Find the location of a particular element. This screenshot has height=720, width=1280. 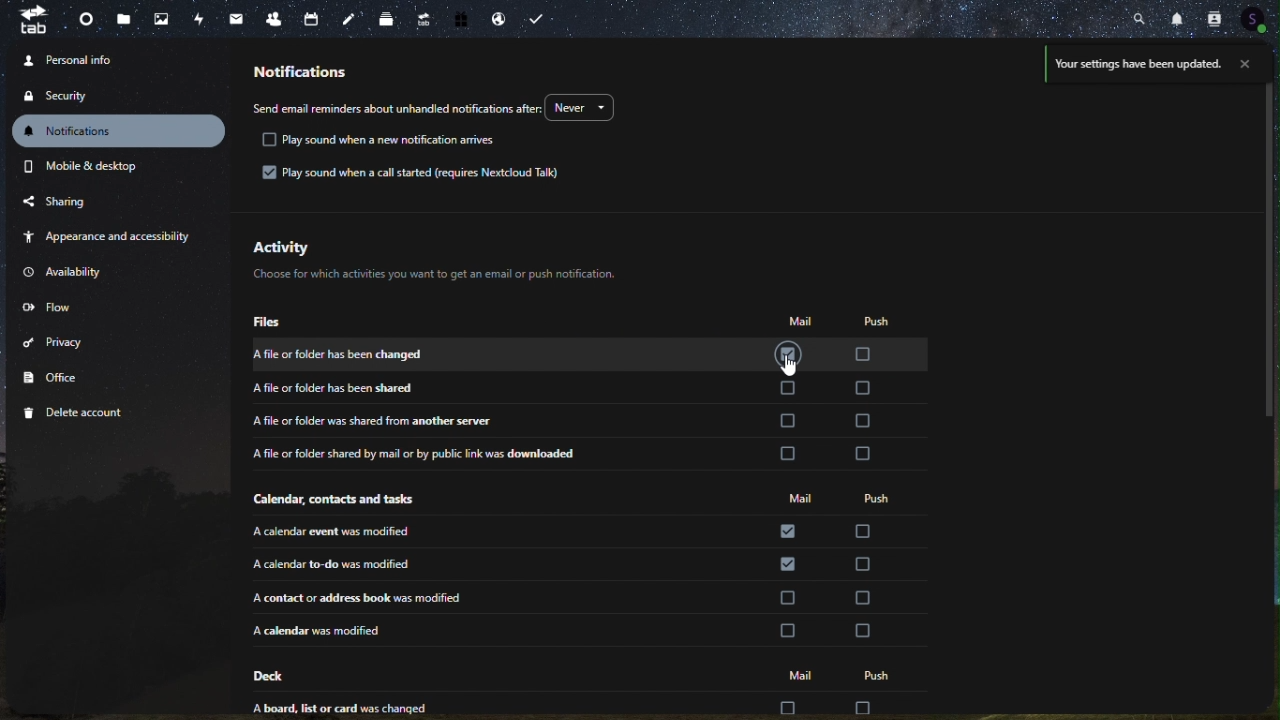

notification is located at coordinates (299, 72).